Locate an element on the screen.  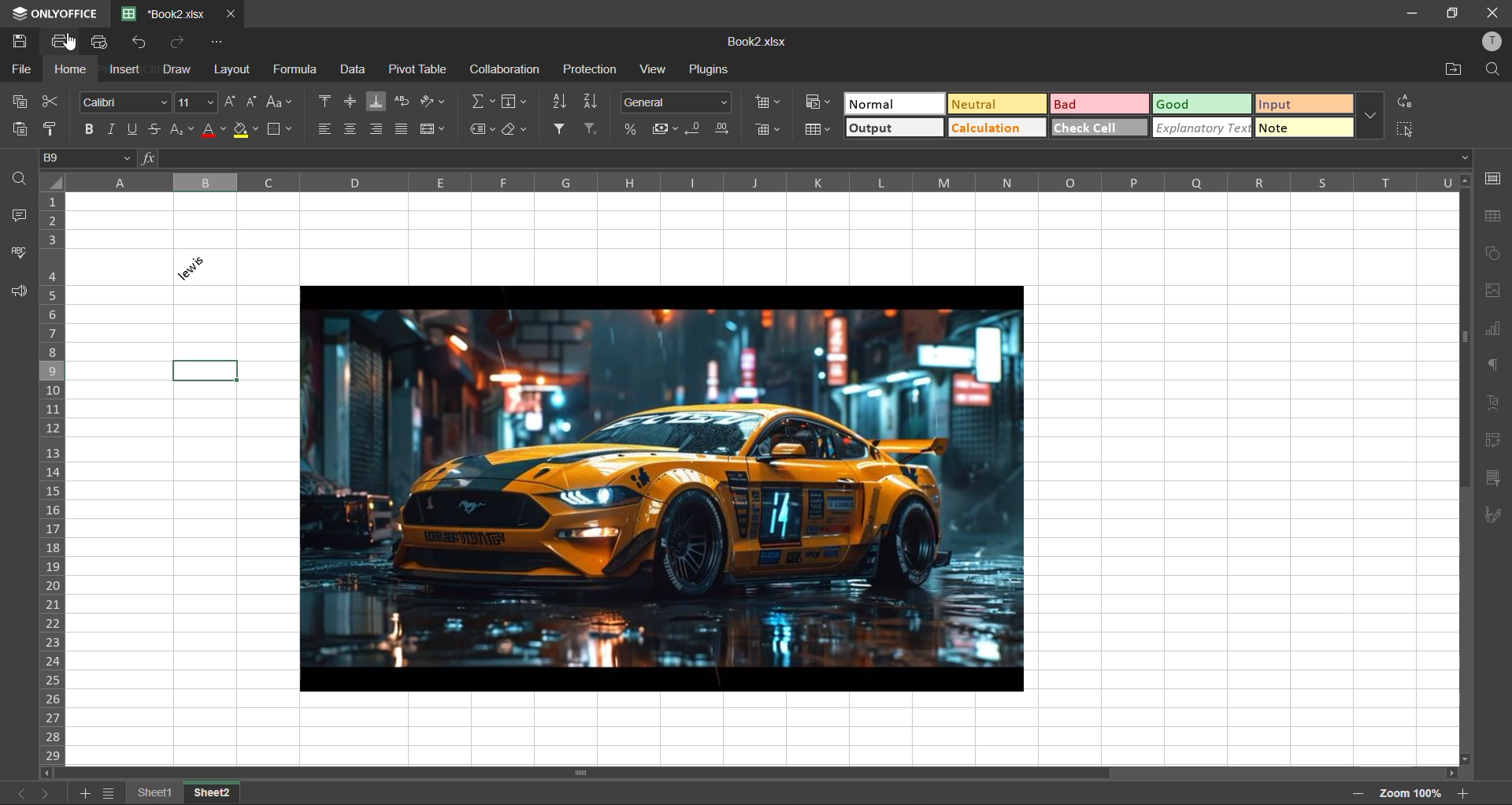
input is located at coordinates (1304, 104).